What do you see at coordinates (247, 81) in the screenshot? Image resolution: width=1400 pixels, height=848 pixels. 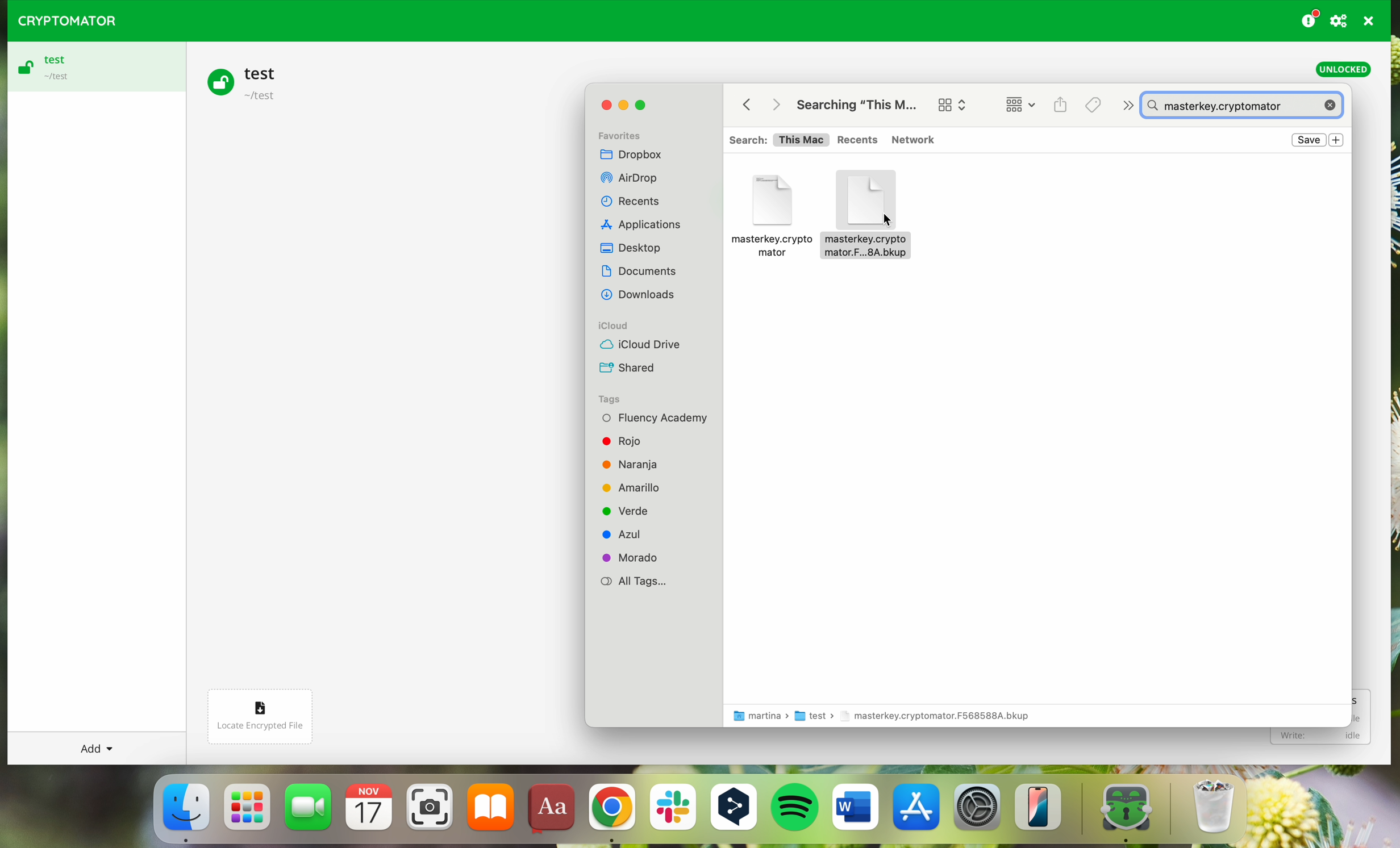 I see `test vault` at bounding box center [247, 81].